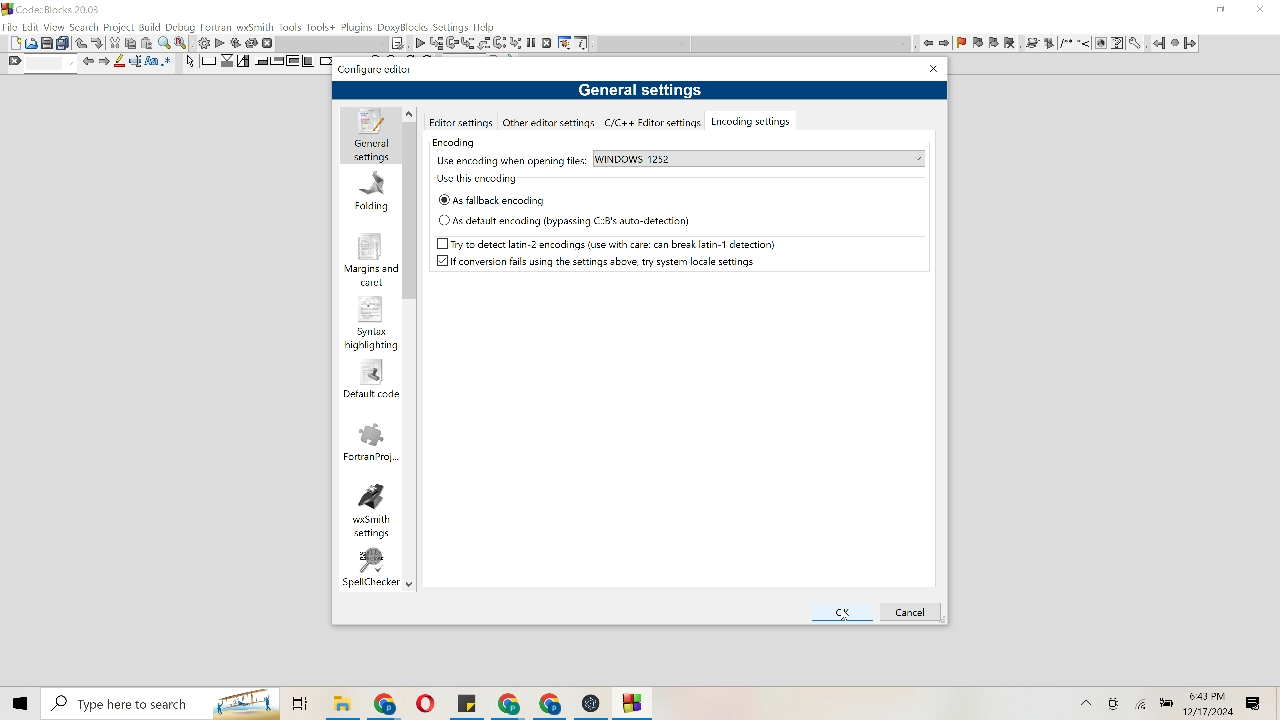 The height and width of the screenshot is (720, 1280). What do you see at coordinates (342, 703) in the screenshot?
I see `File` at bounding box center [342, 703].